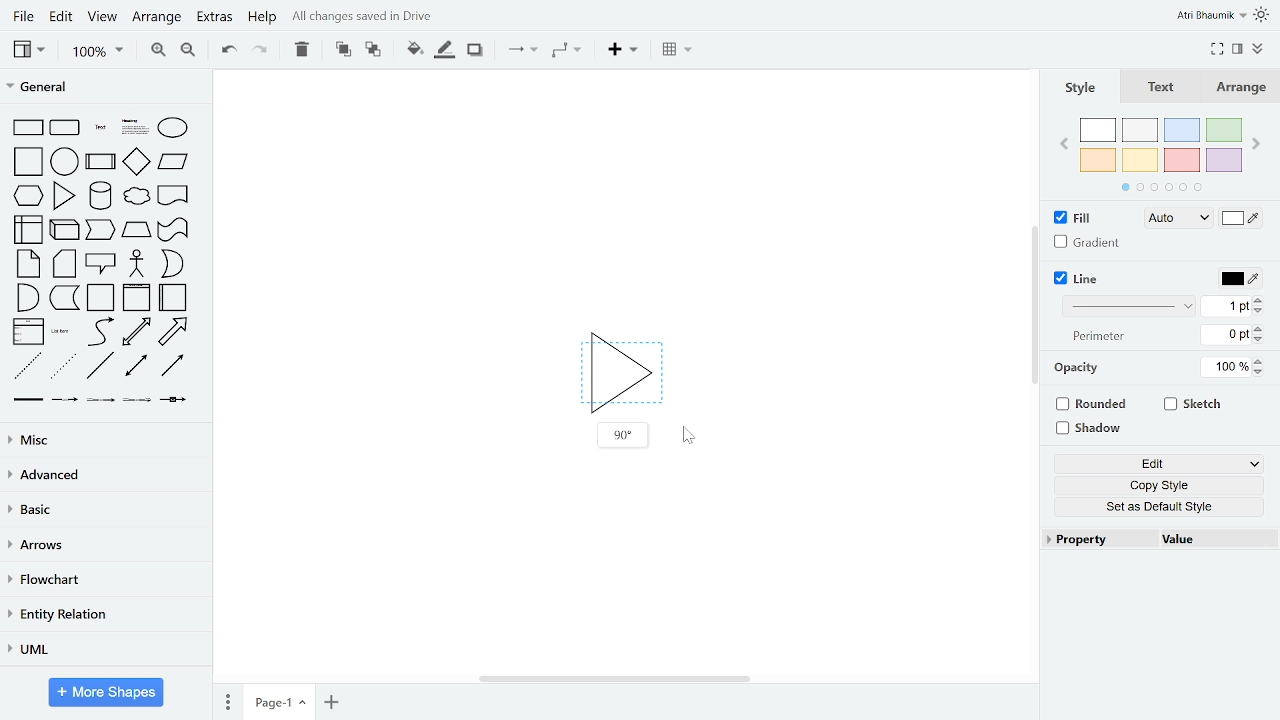  What do you see at coordinates (101, 648) in the screenshot?
I see `UML` at bounding box center [101, 648].